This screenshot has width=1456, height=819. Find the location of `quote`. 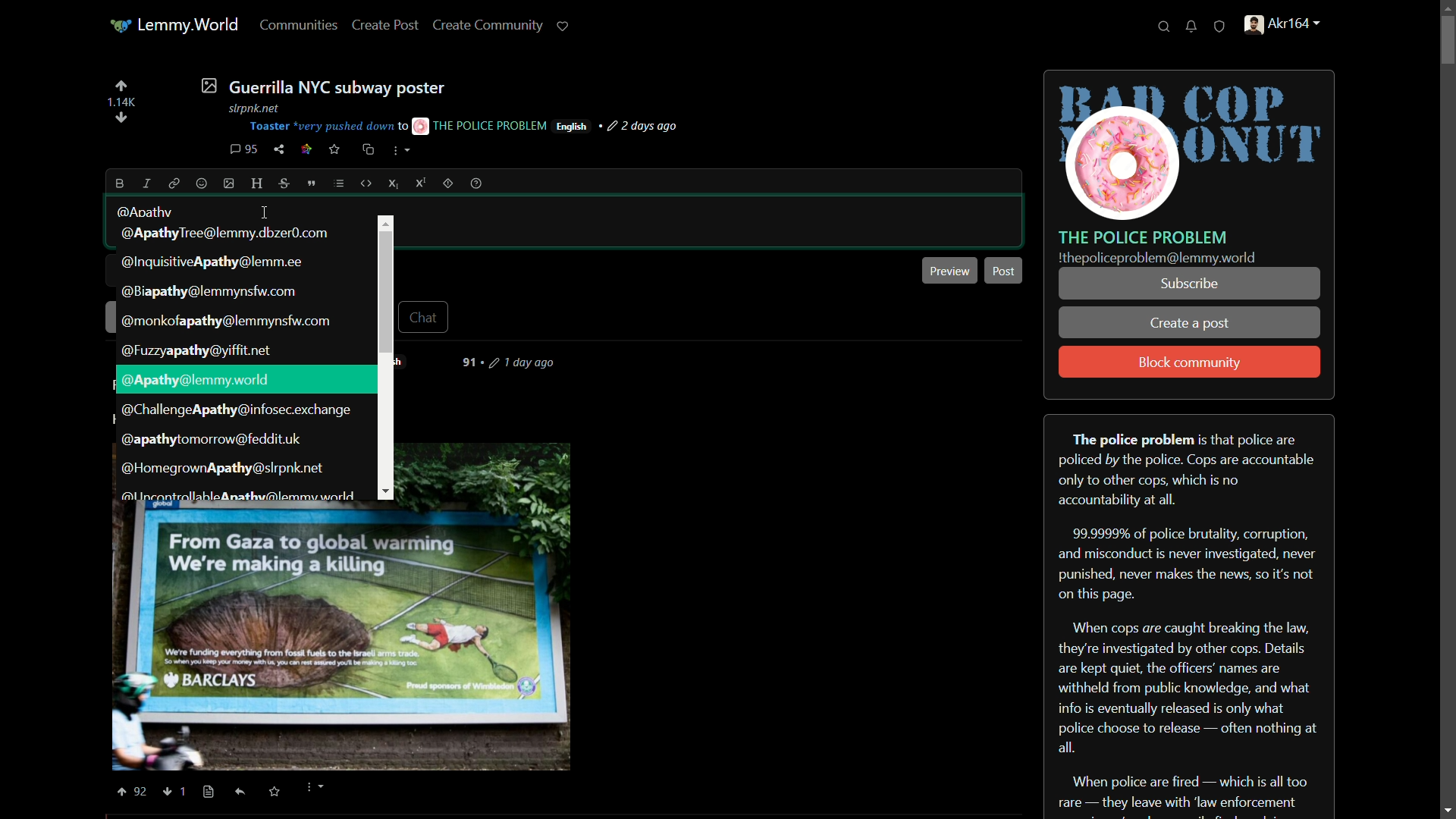

quote is located at coordinates (312, 184).